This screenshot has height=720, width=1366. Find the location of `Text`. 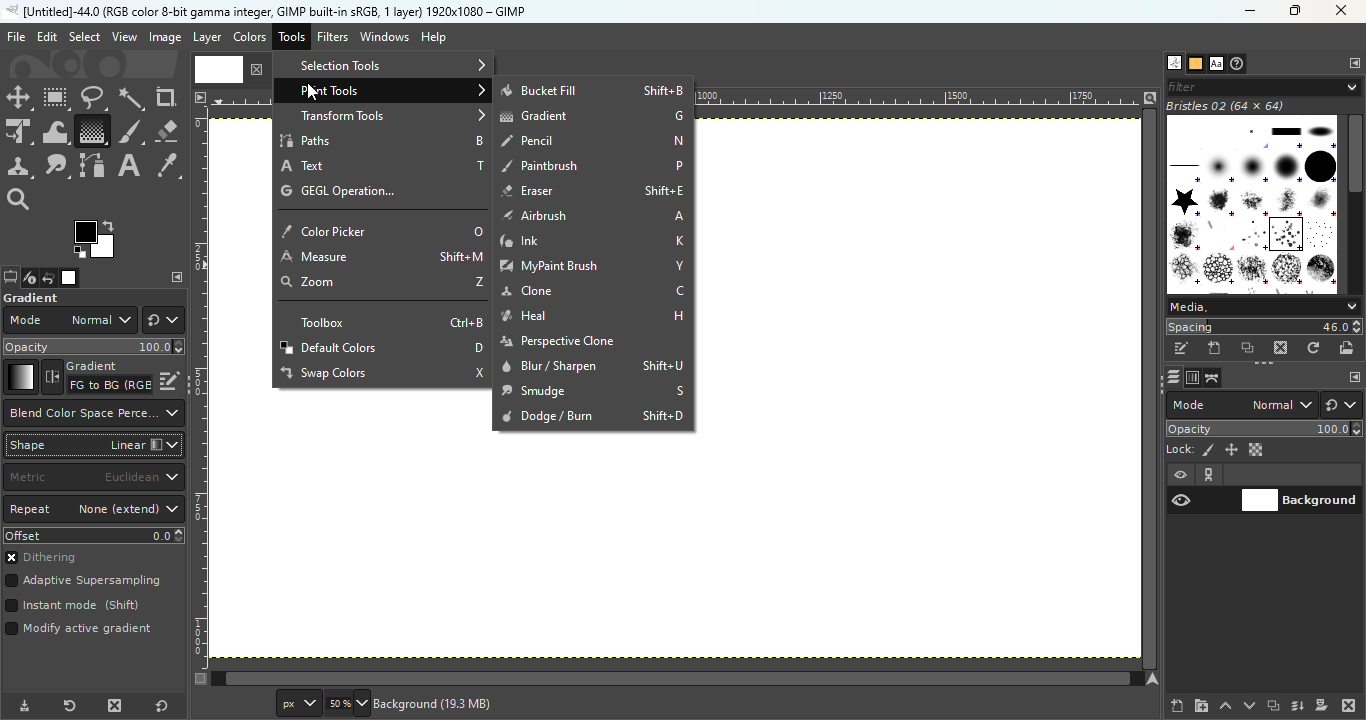

Text is located at coordinates (380, 162).